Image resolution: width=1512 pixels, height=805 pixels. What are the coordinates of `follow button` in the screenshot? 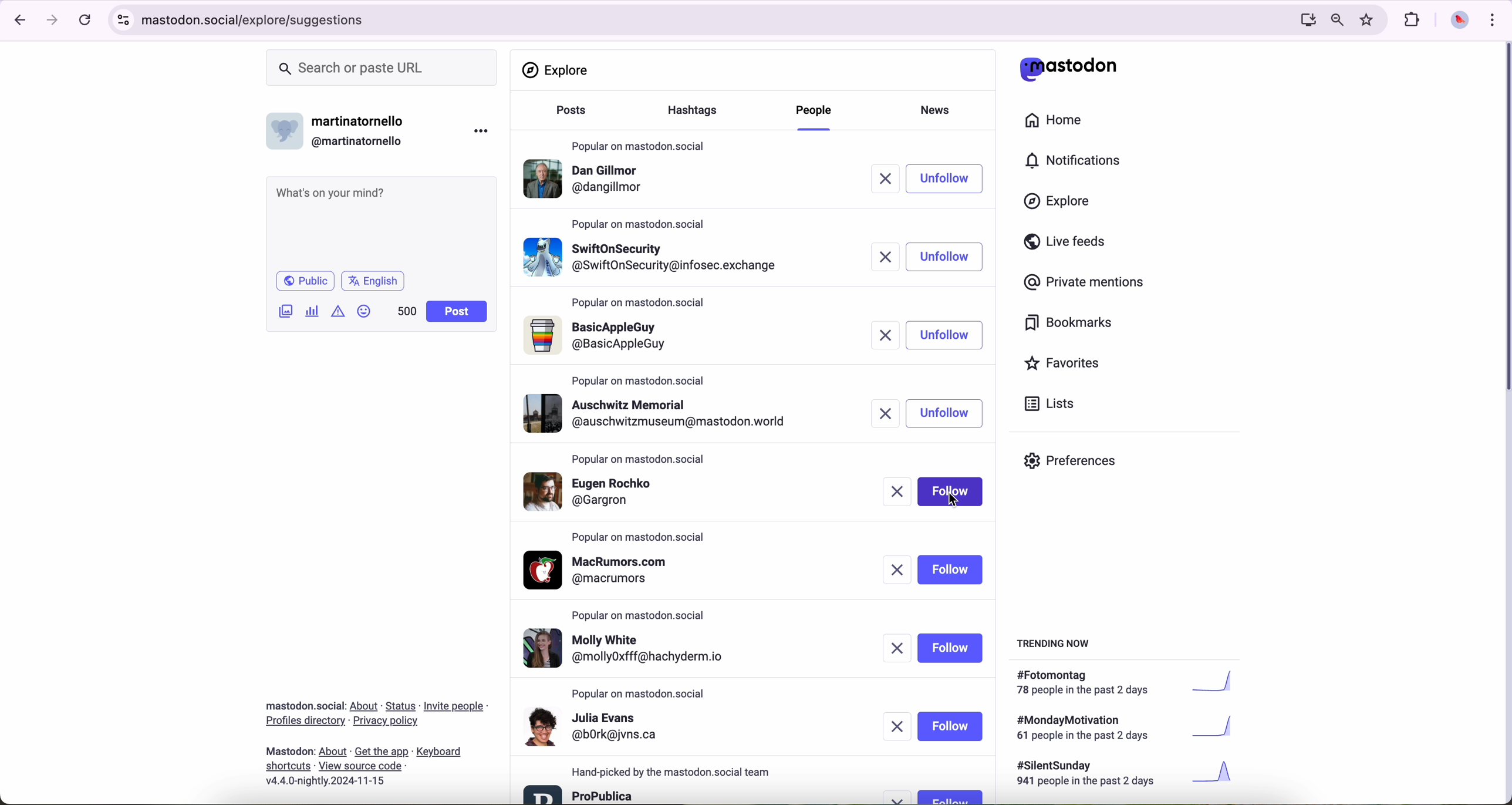 It's located at (953, 491).